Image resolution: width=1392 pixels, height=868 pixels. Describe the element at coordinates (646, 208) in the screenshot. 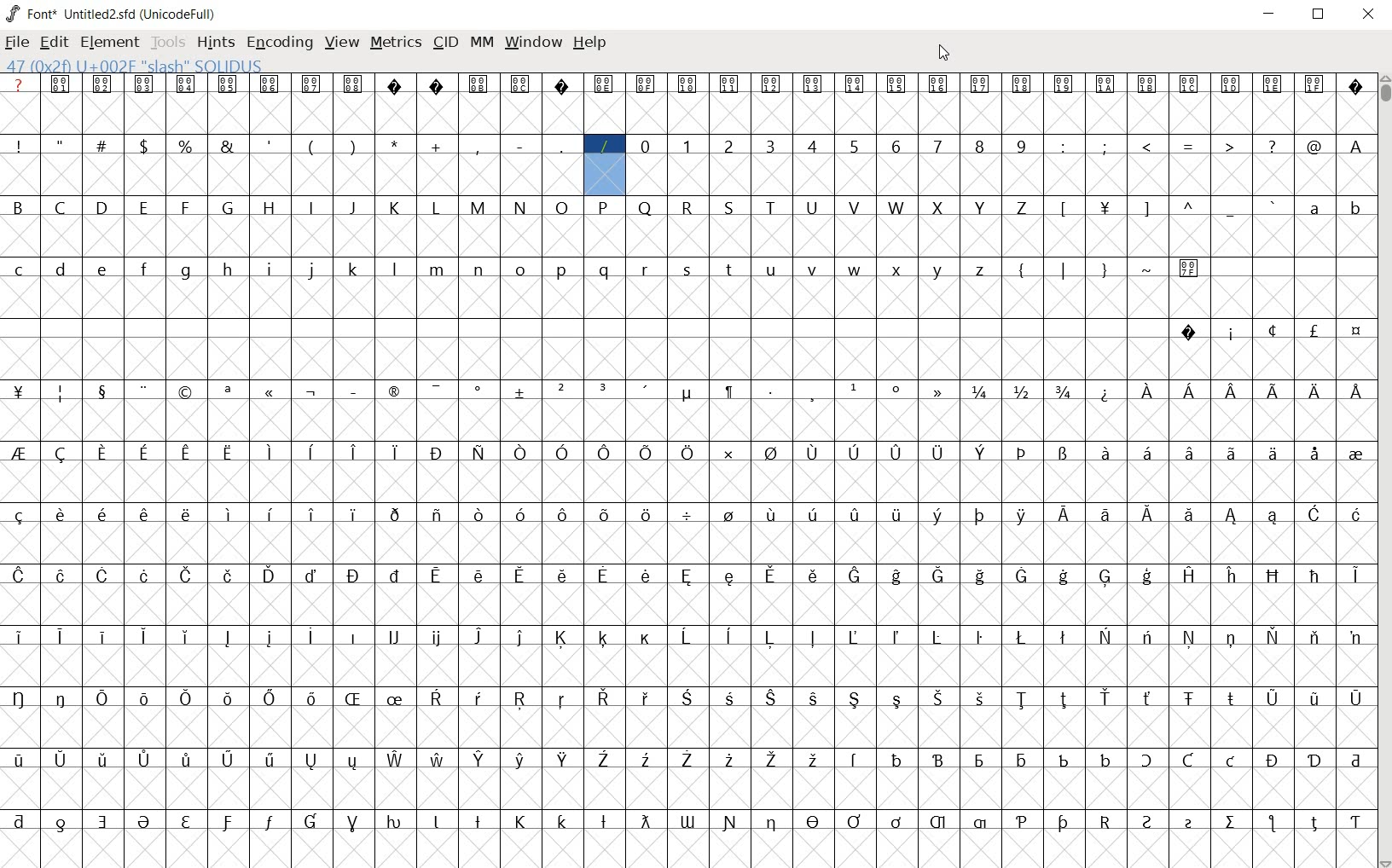

I see `glyph` at that location.